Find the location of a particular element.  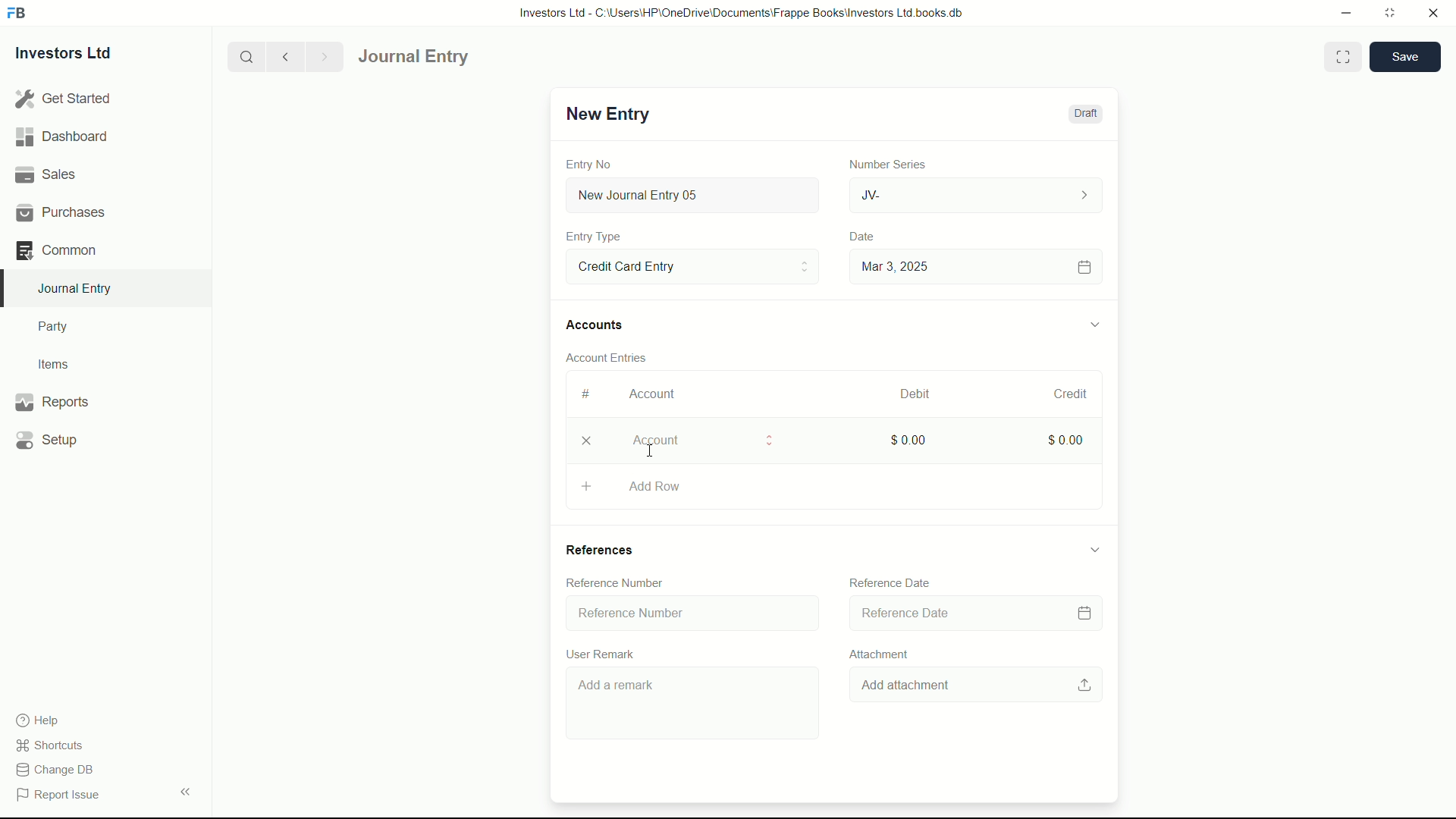

Investors Ltd - C:\Users\HP\OneDrive\Documents\Frappe Books\Investors Ltd books.db is located at coordinates (743, 12).